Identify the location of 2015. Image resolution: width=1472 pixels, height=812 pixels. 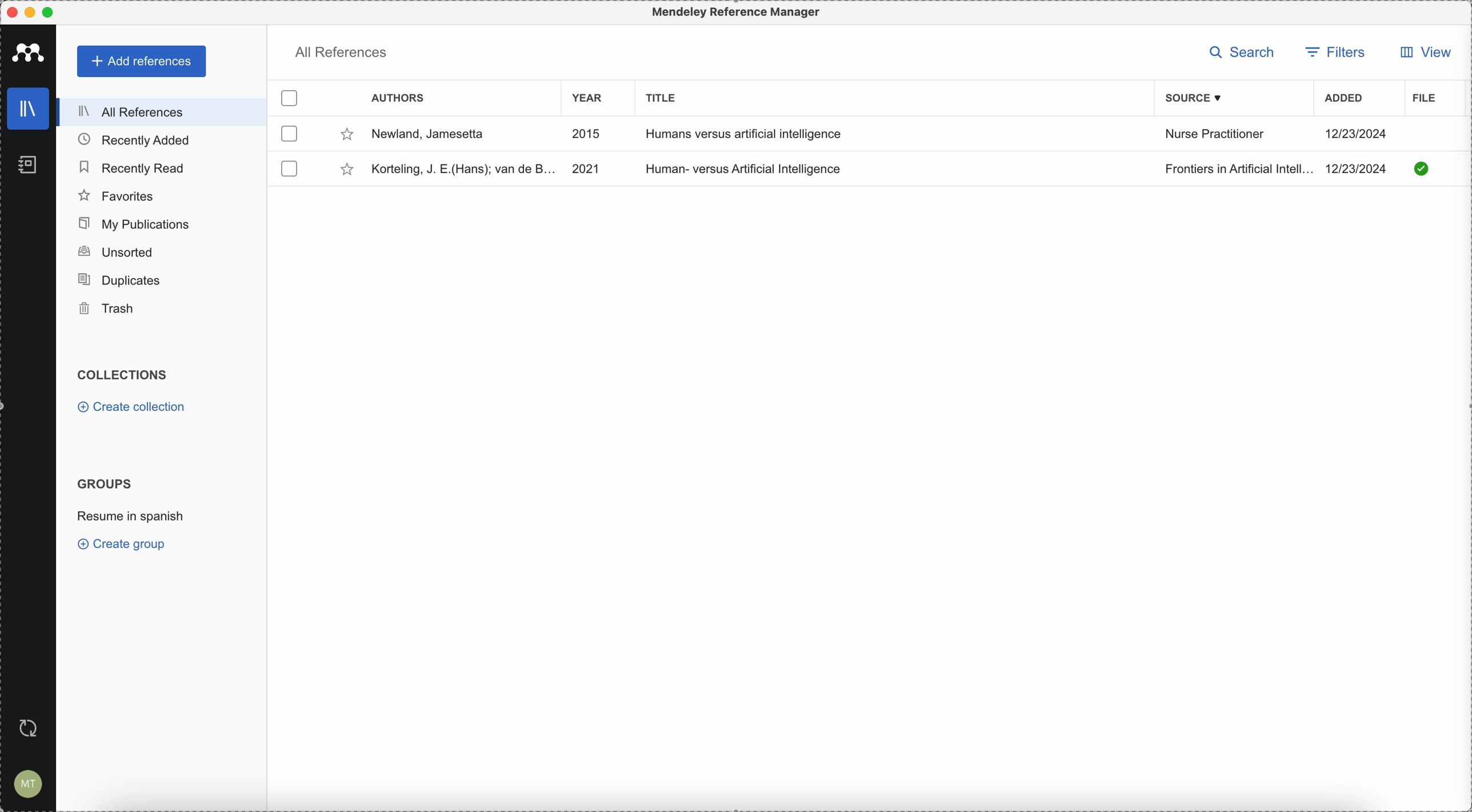
(589, 136).